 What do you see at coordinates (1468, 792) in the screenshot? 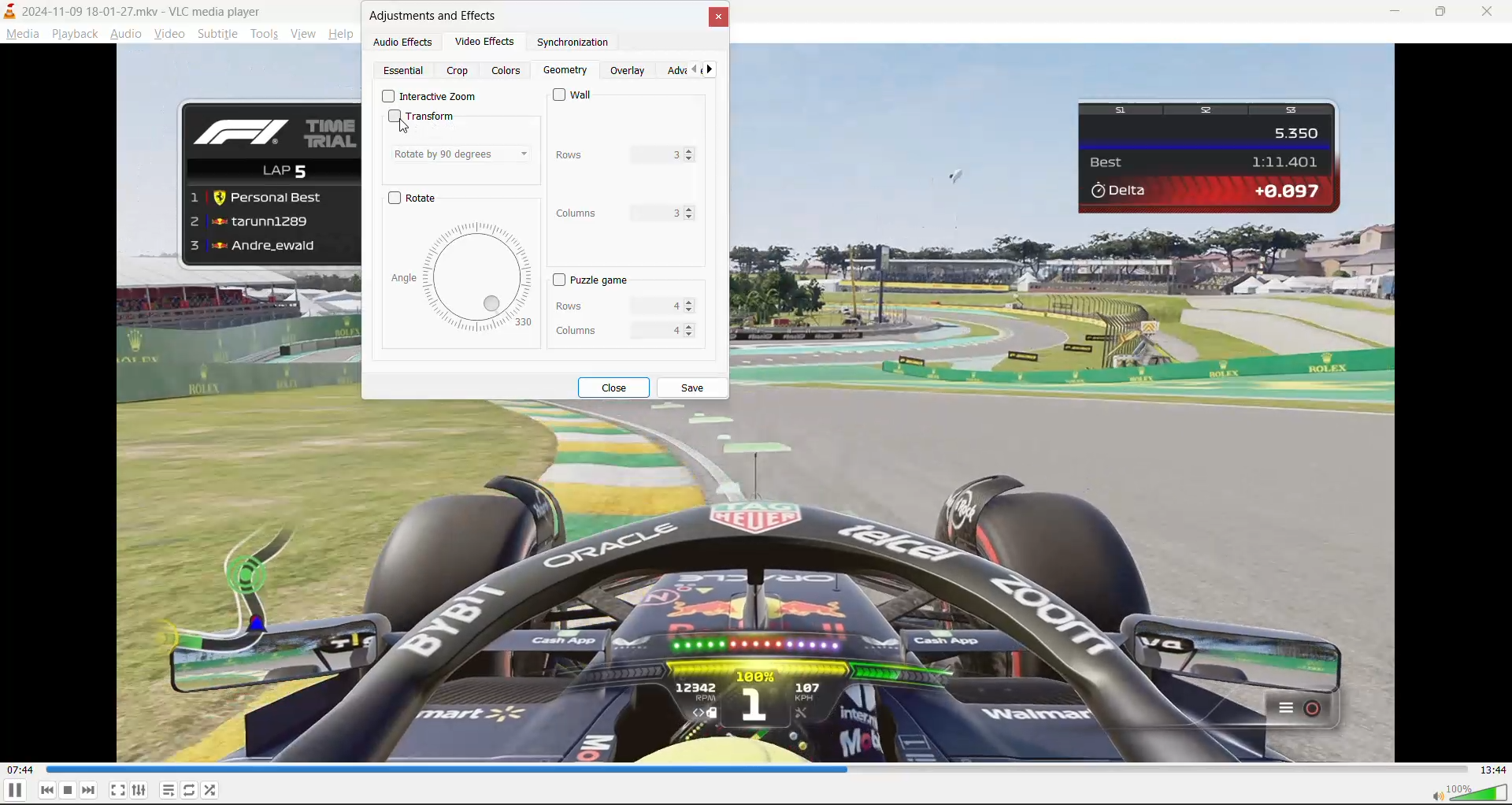
I see `volume` at bounding box center [1468, 792].